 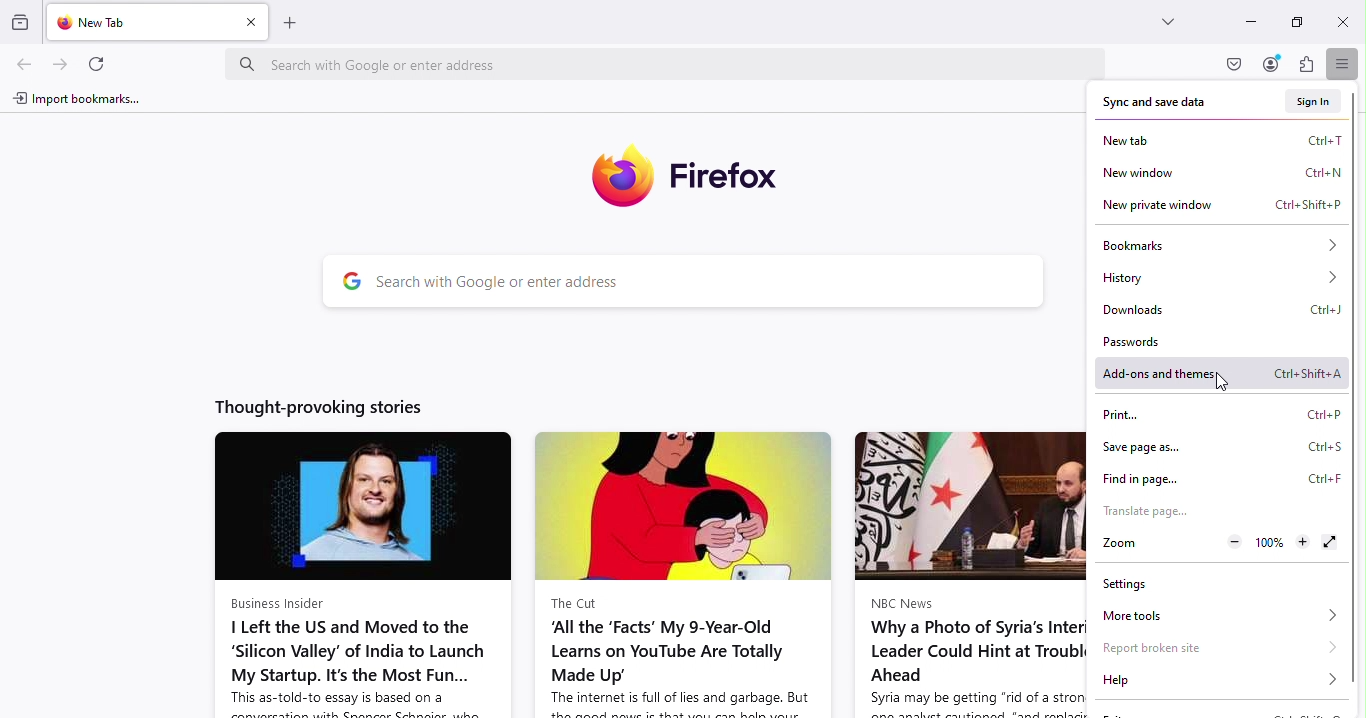 I want to click on Print, so click(x=1220, y=411).